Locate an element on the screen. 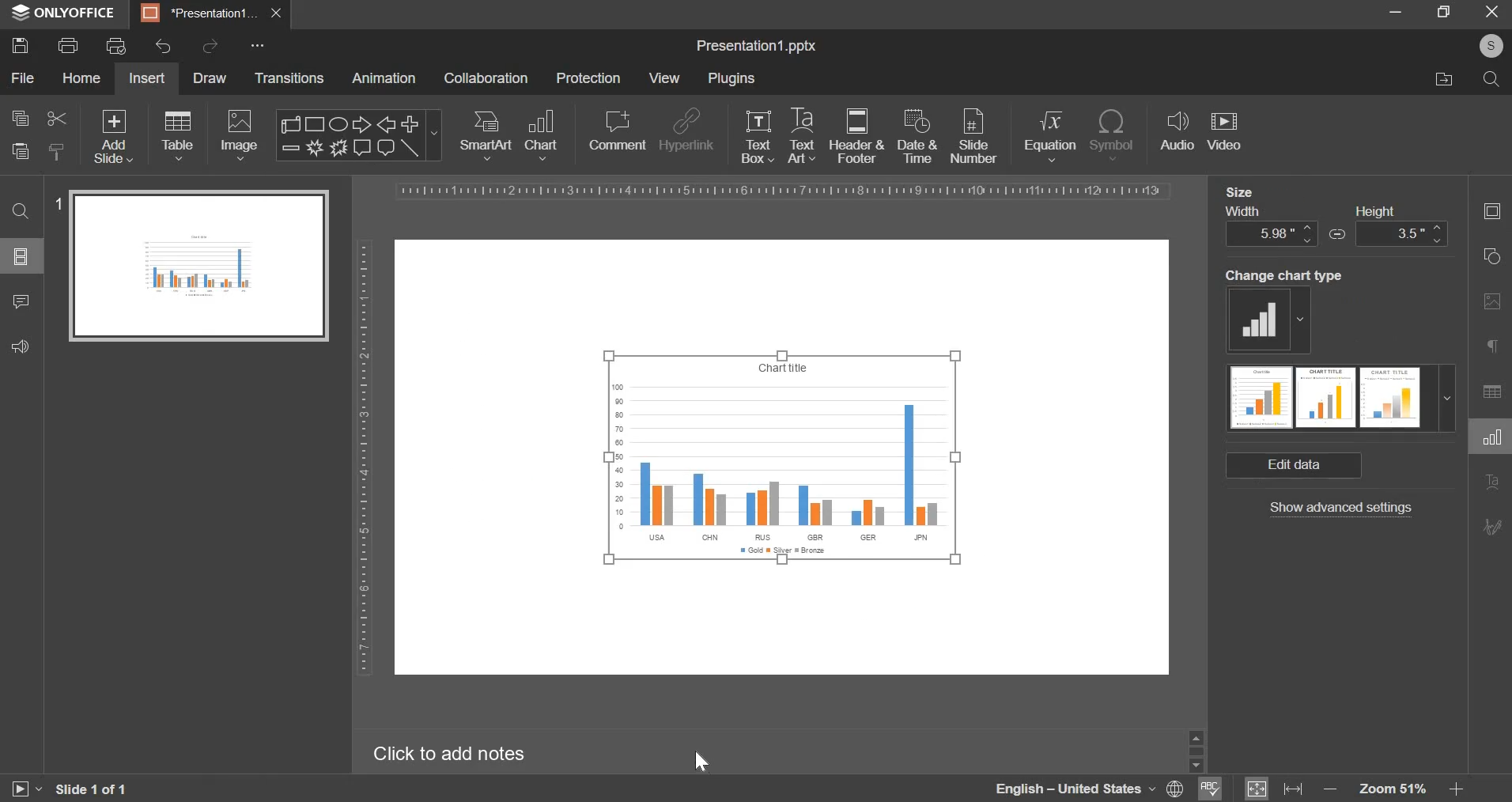 This screenshot has width=1512, height=802. plugins is located at coordinates (733, 81).